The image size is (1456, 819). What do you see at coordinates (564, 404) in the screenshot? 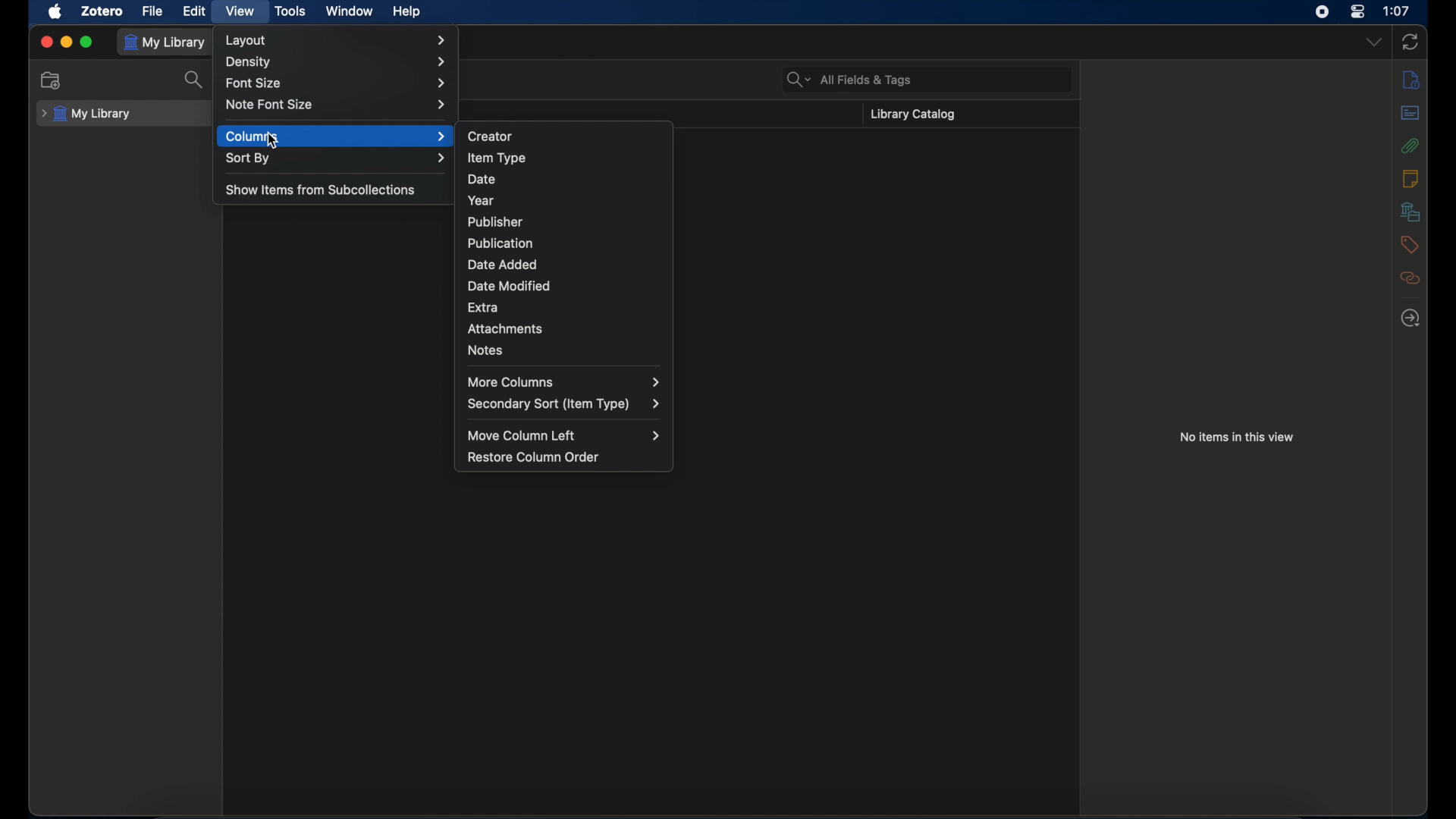
I see `secondary sort` at bounding box center [564, 404].